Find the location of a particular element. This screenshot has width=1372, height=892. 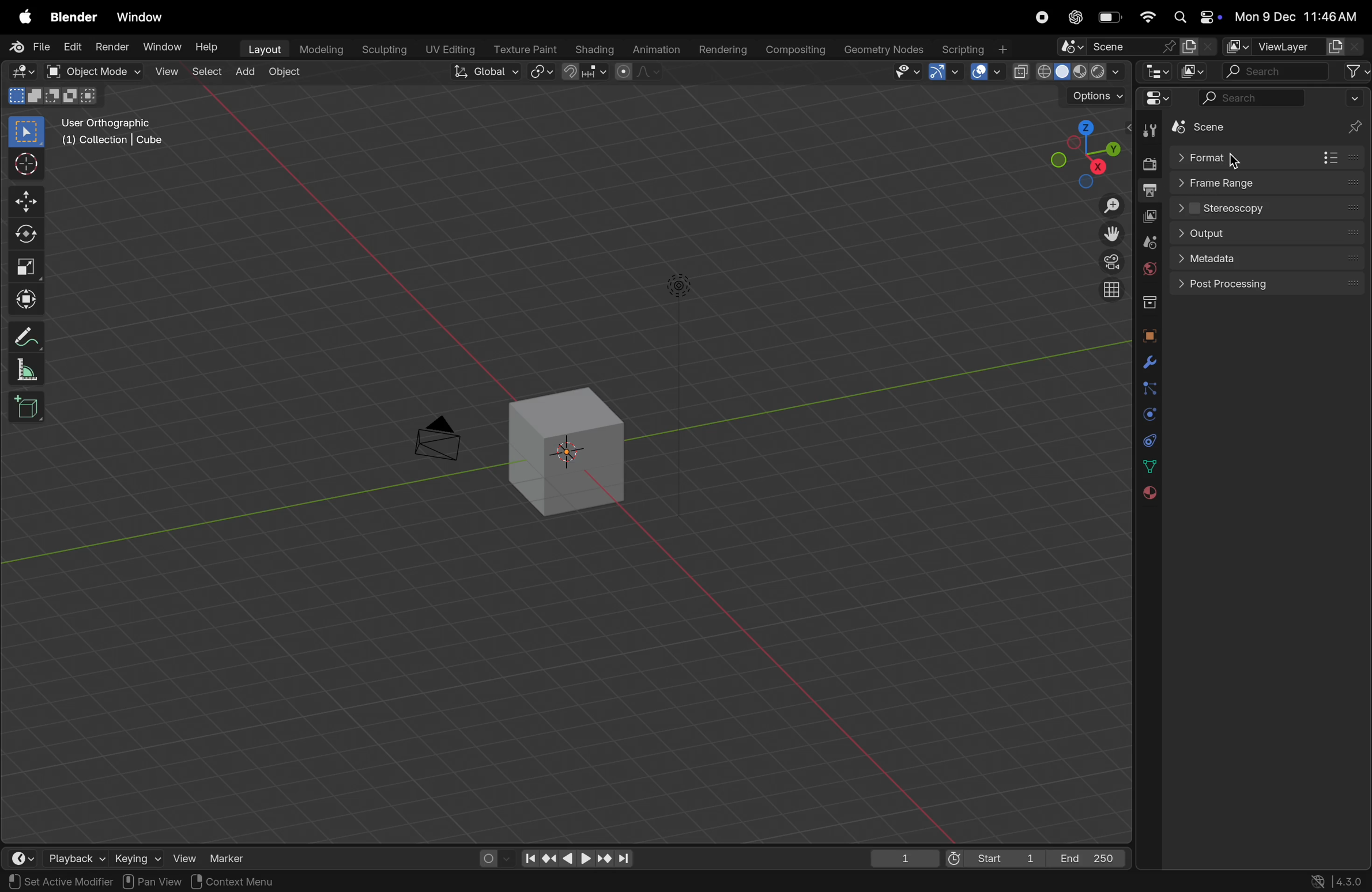

End 250 is located at coordinates (1088, 857).